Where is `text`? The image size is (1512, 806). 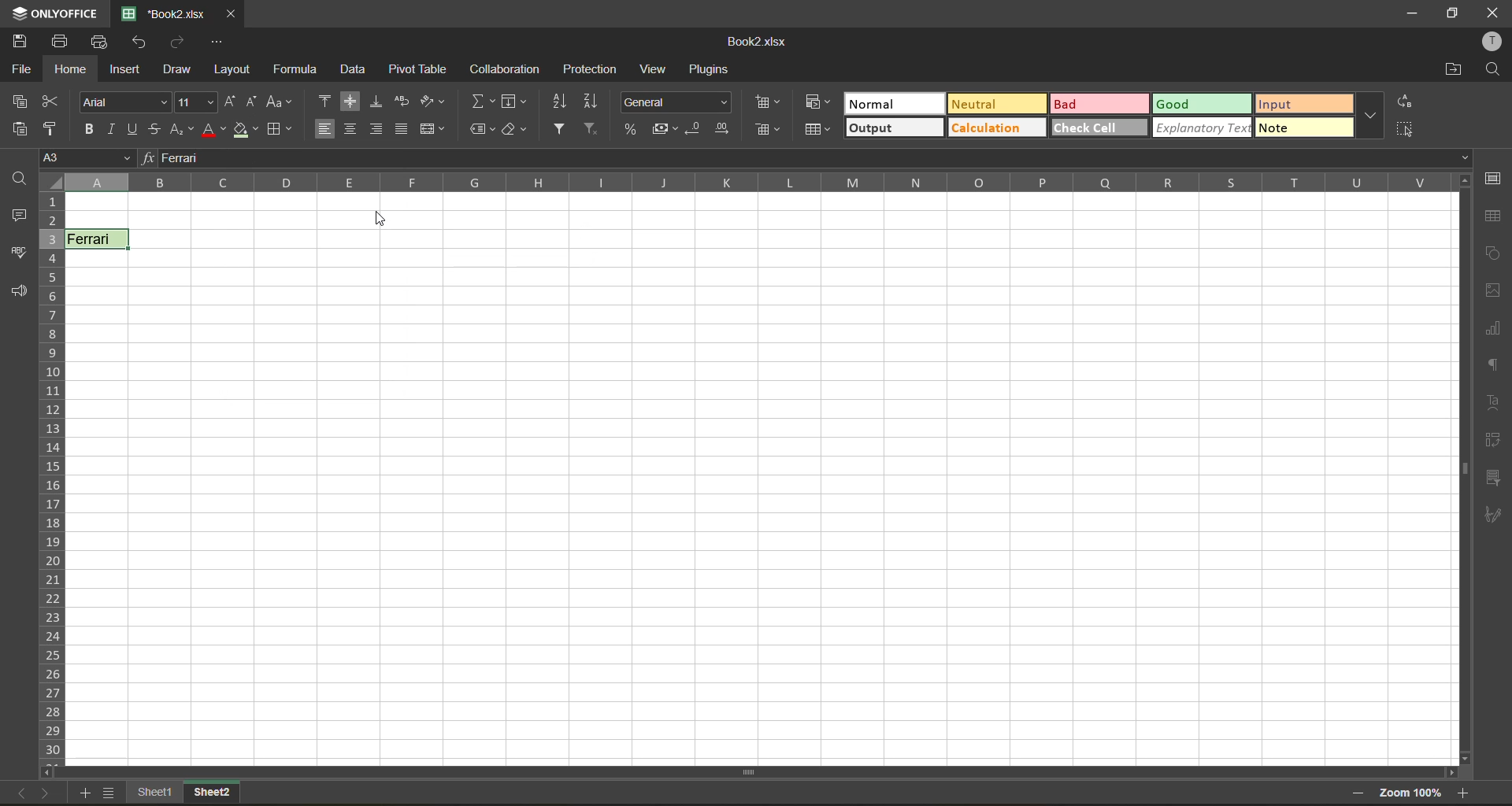
text is located at coordinates (1494, 404).